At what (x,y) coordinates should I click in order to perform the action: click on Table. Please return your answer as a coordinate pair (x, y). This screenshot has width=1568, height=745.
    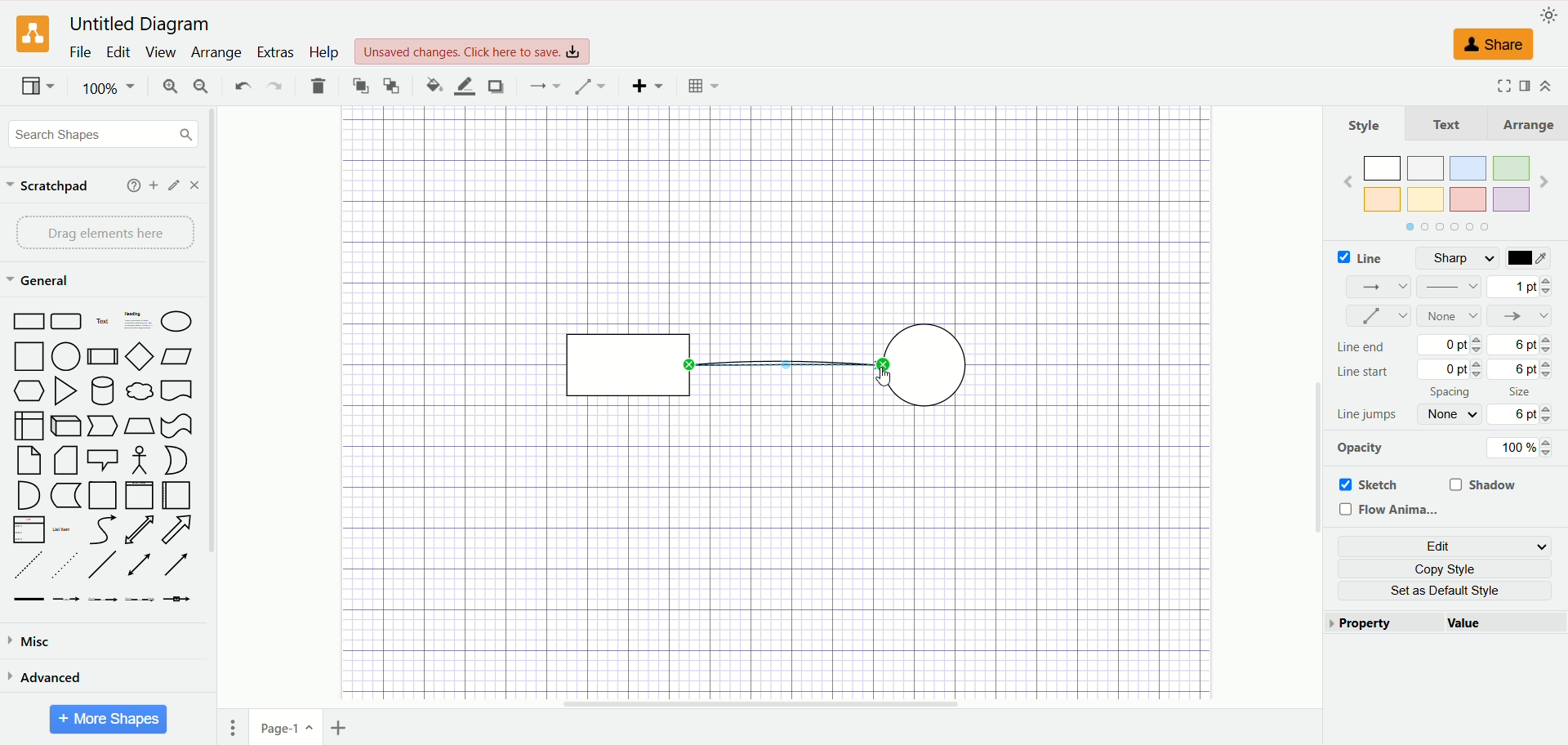
    Looking at the image, I should click on (703, 86).